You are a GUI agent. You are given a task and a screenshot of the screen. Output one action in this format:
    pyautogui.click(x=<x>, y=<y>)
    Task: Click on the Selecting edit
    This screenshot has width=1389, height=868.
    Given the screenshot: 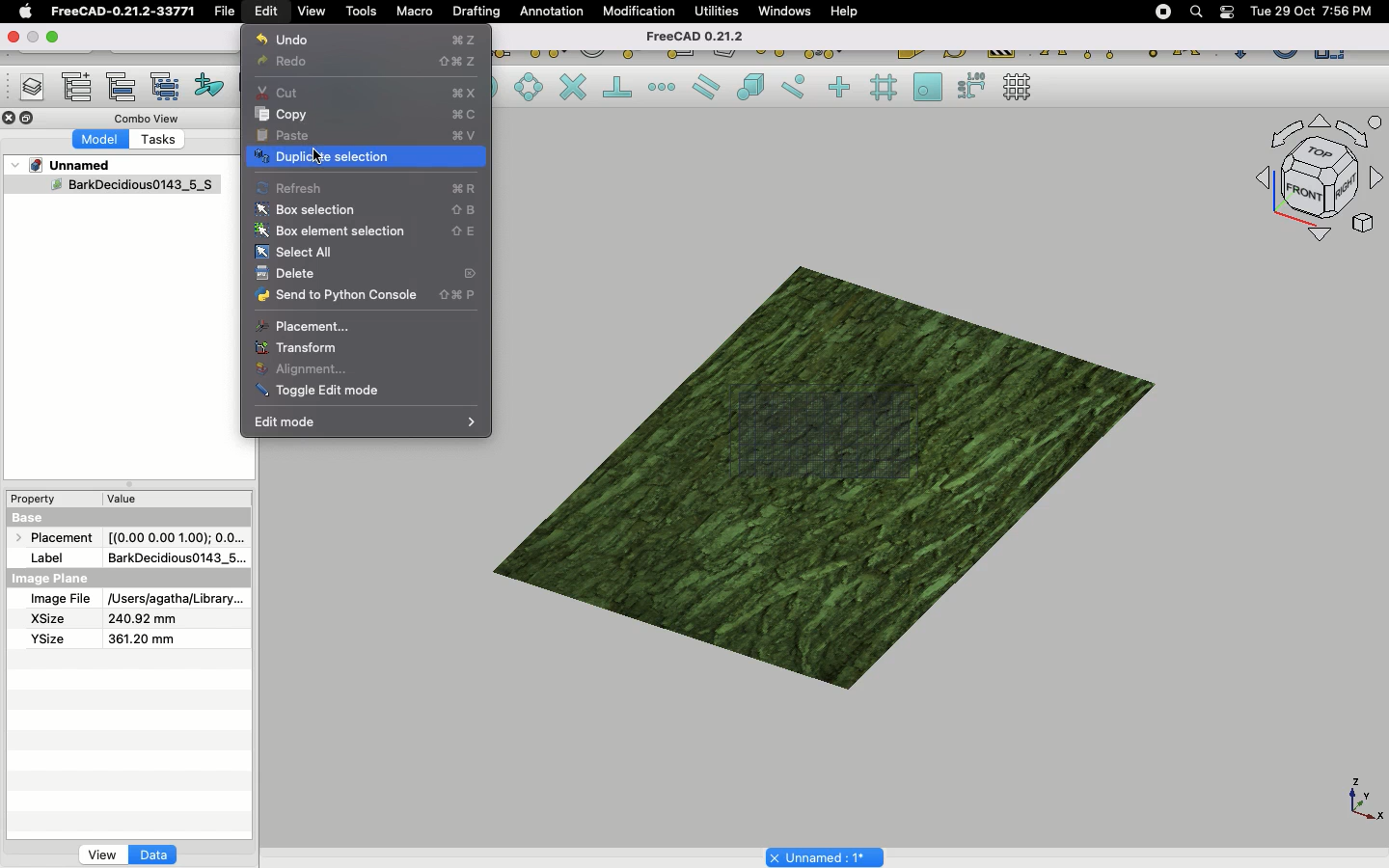 What is the action you would take?
    pyautogui.click(x=270, y=13)
    